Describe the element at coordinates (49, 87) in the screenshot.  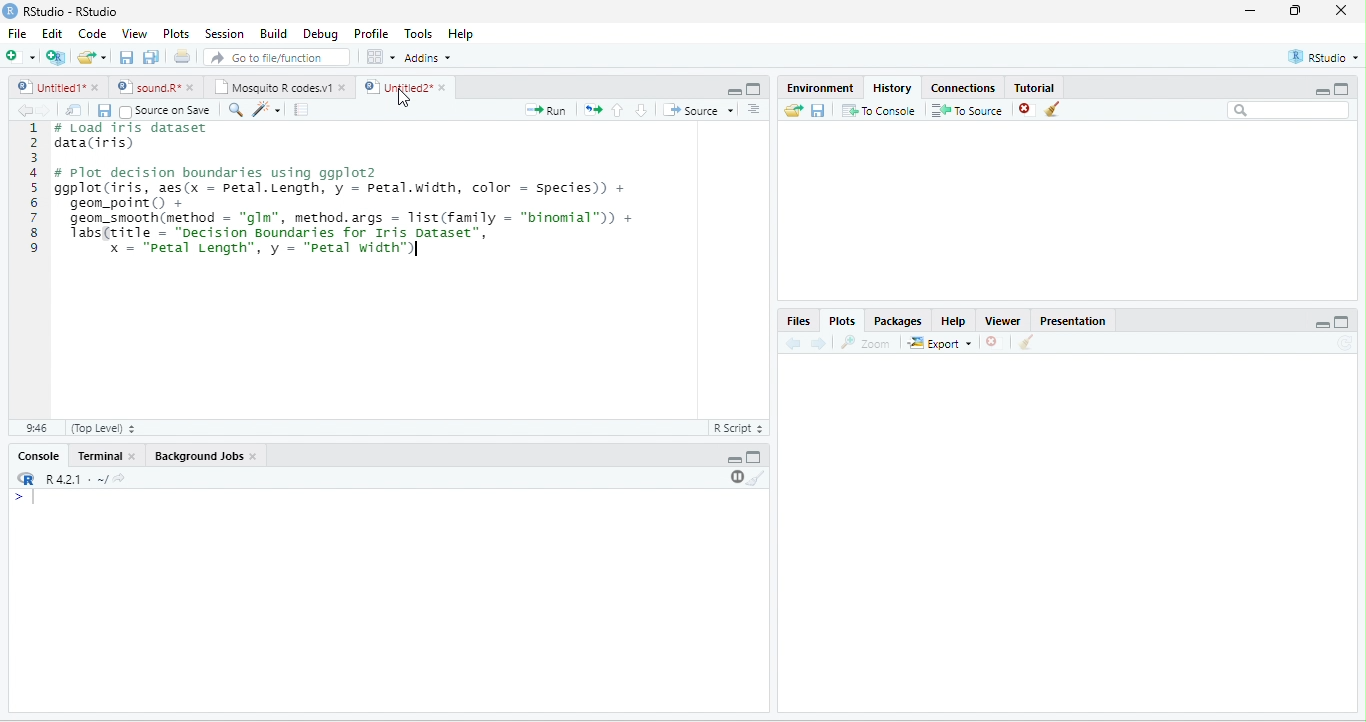
I see `Untitled` at that location.